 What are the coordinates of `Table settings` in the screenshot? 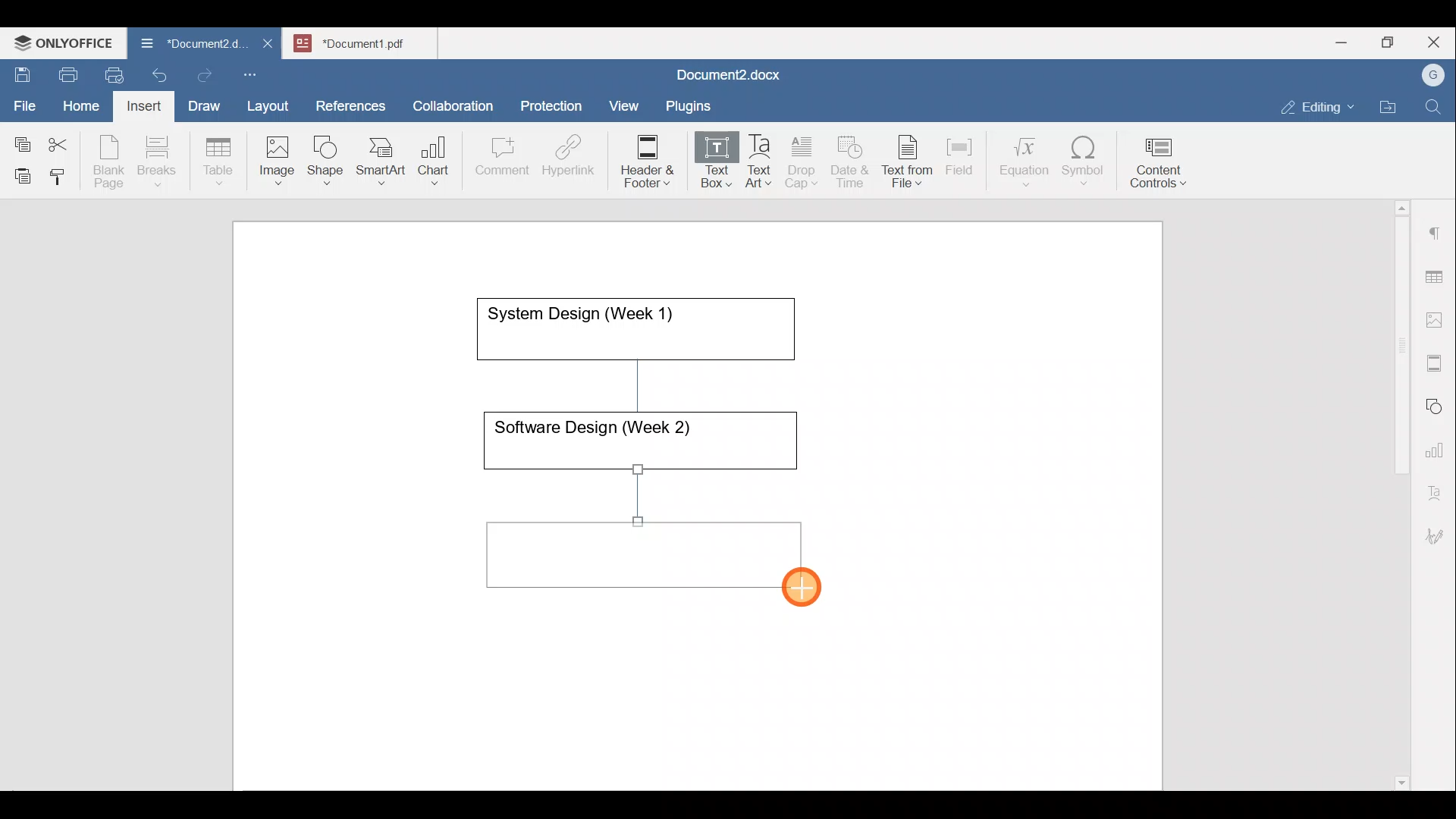 It's located at (1437, 275).